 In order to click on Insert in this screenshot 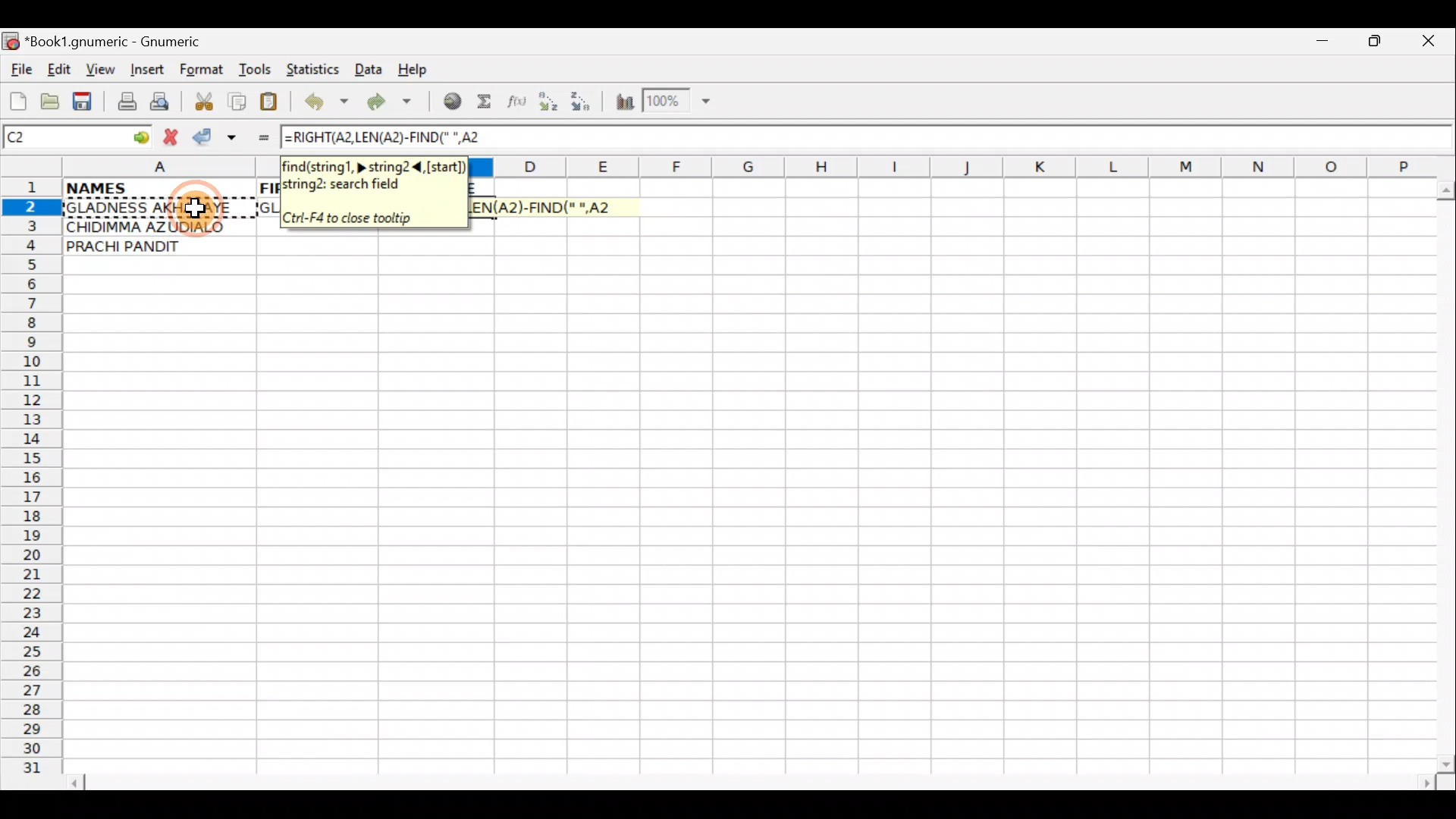, I will do `click(146, 70)`.